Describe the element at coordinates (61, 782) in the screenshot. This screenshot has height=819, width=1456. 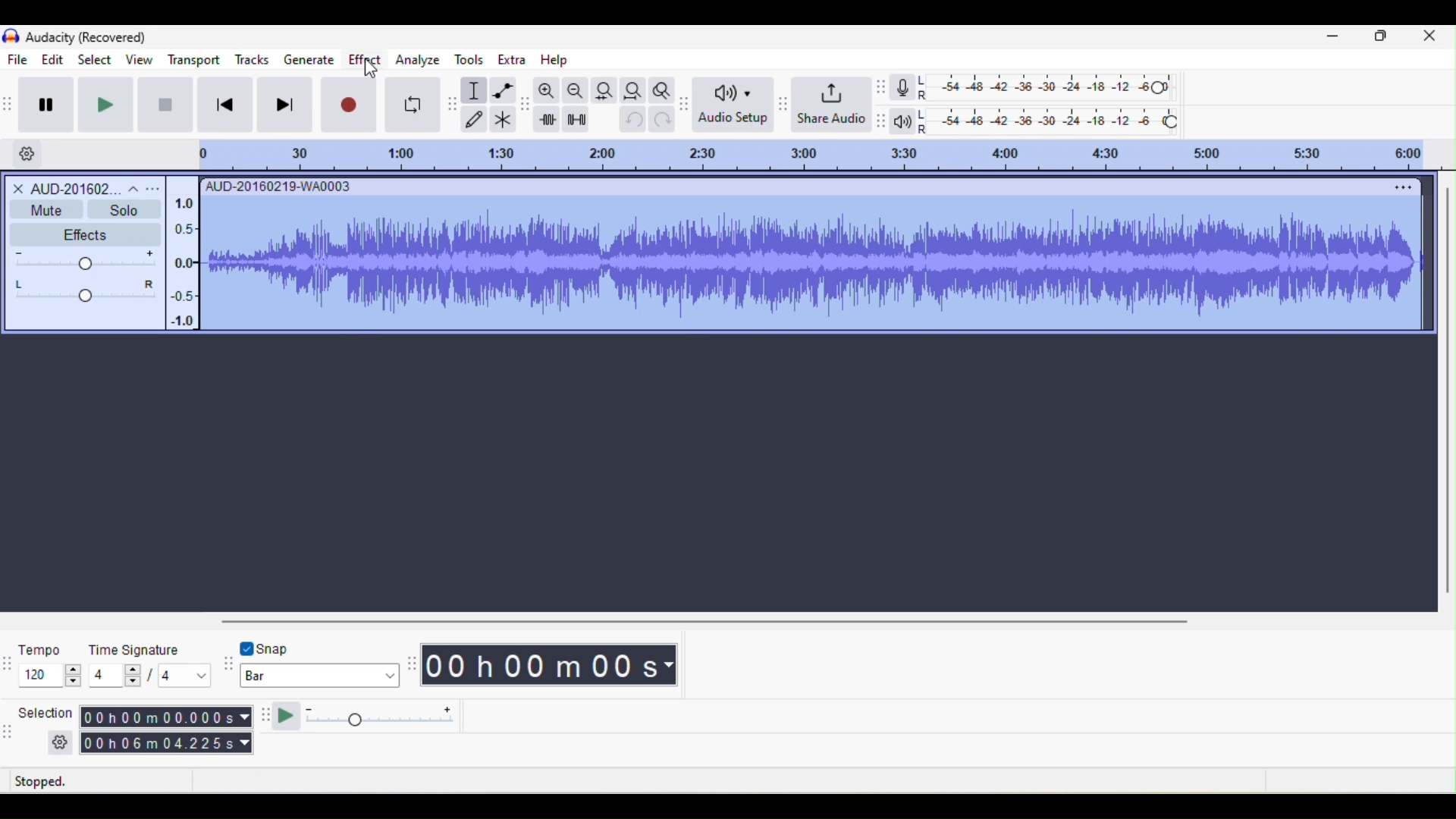
I see `stopped` at that location.